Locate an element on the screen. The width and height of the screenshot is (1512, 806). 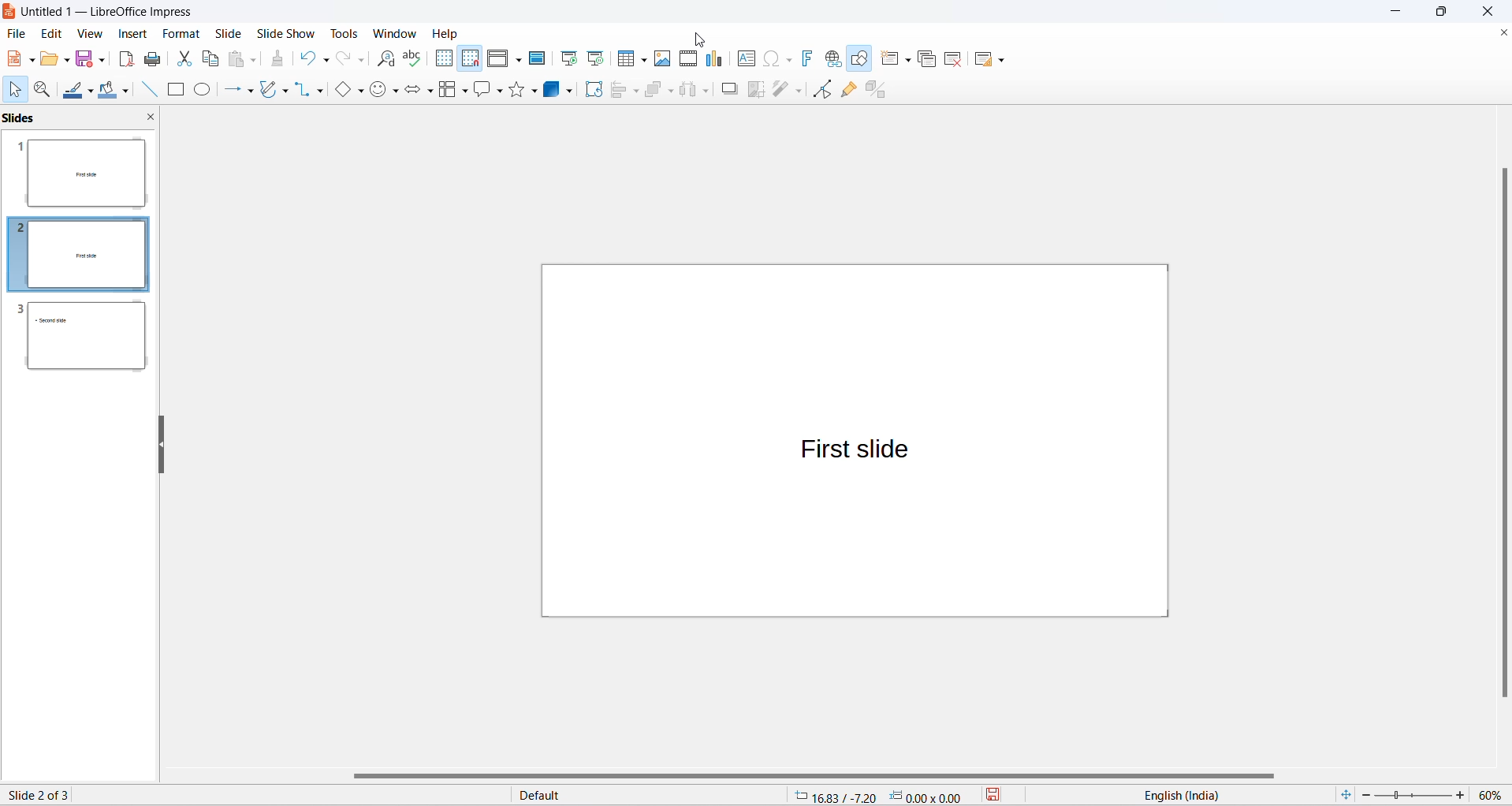
file title is located at coordinates (110, 12).